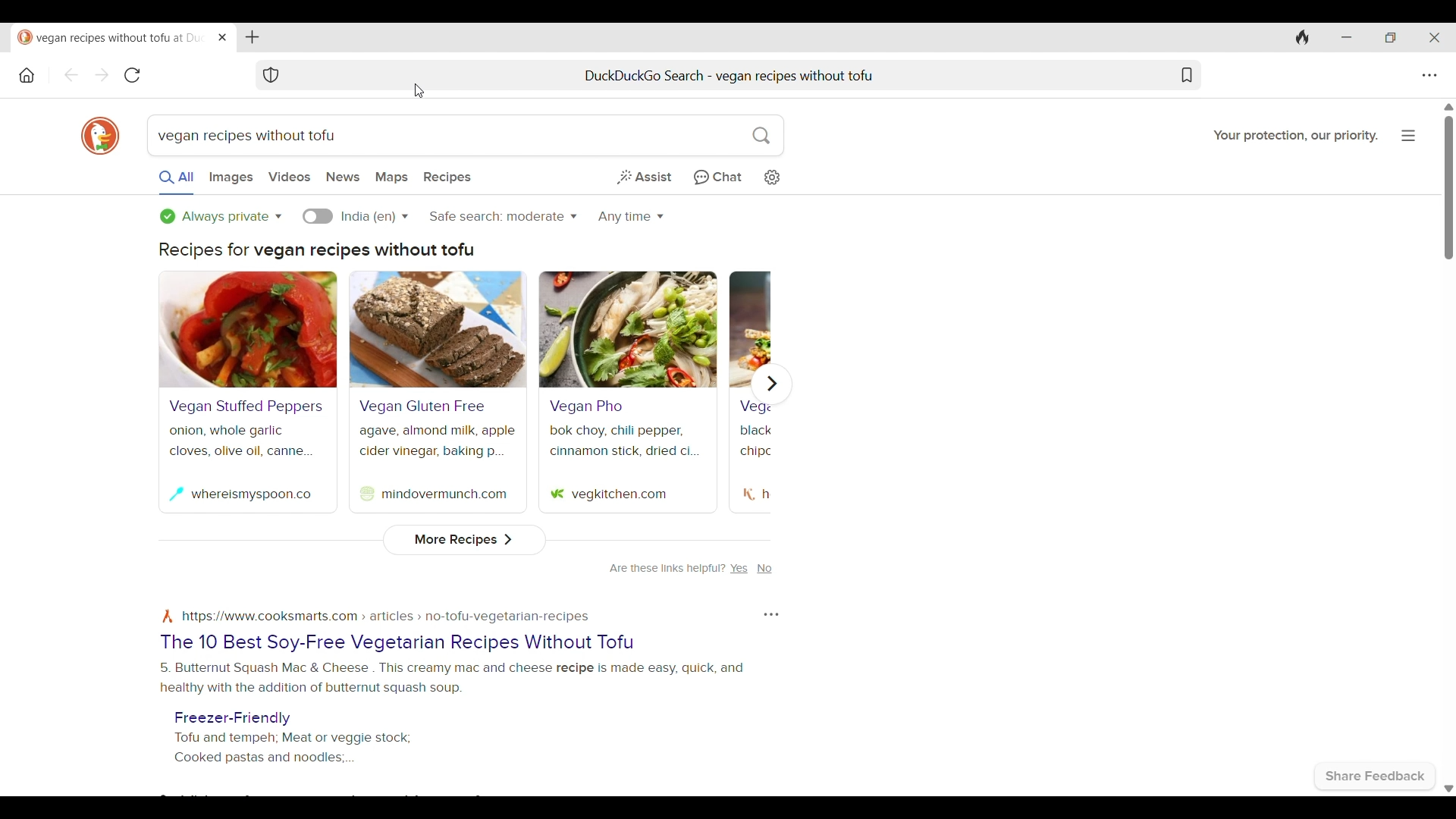  Describe the element at coordinates (27, 75) in the screenshot. I see `Home` at that location.